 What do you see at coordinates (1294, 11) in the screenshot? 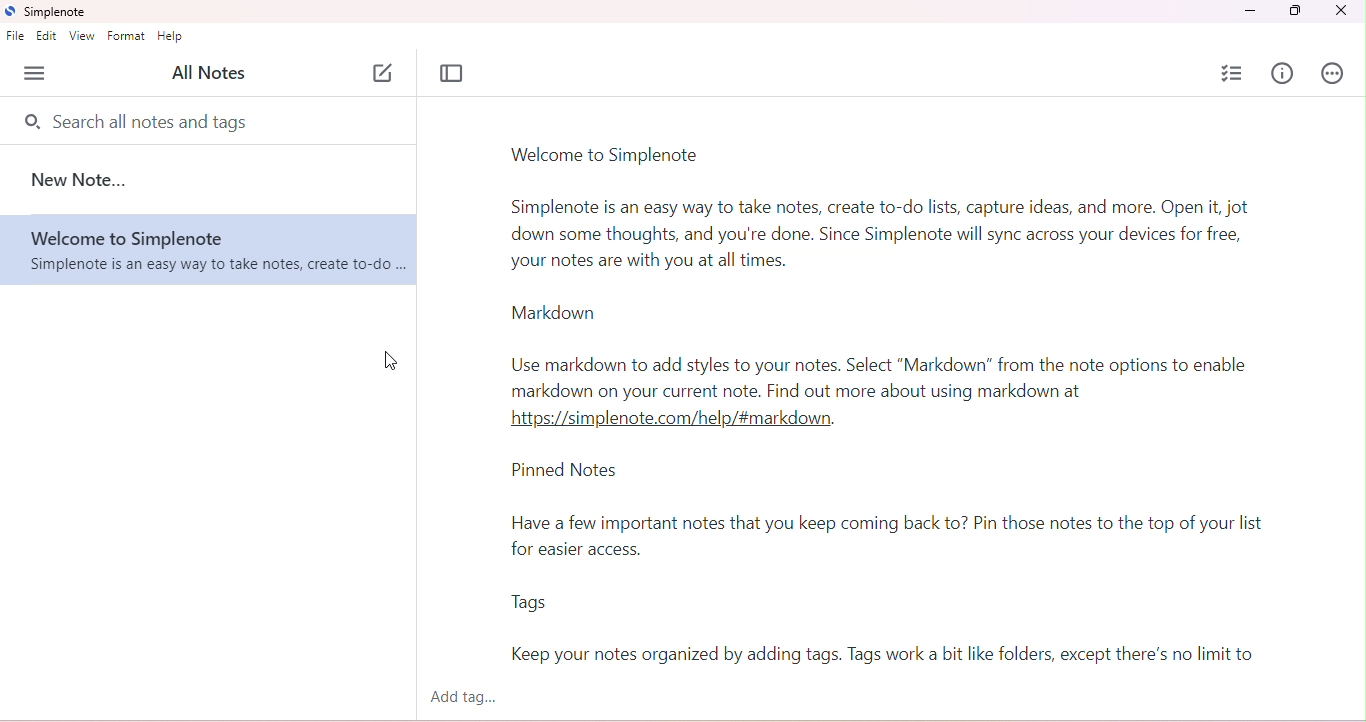
I see `maximize` at bounding box center [1294, 11].